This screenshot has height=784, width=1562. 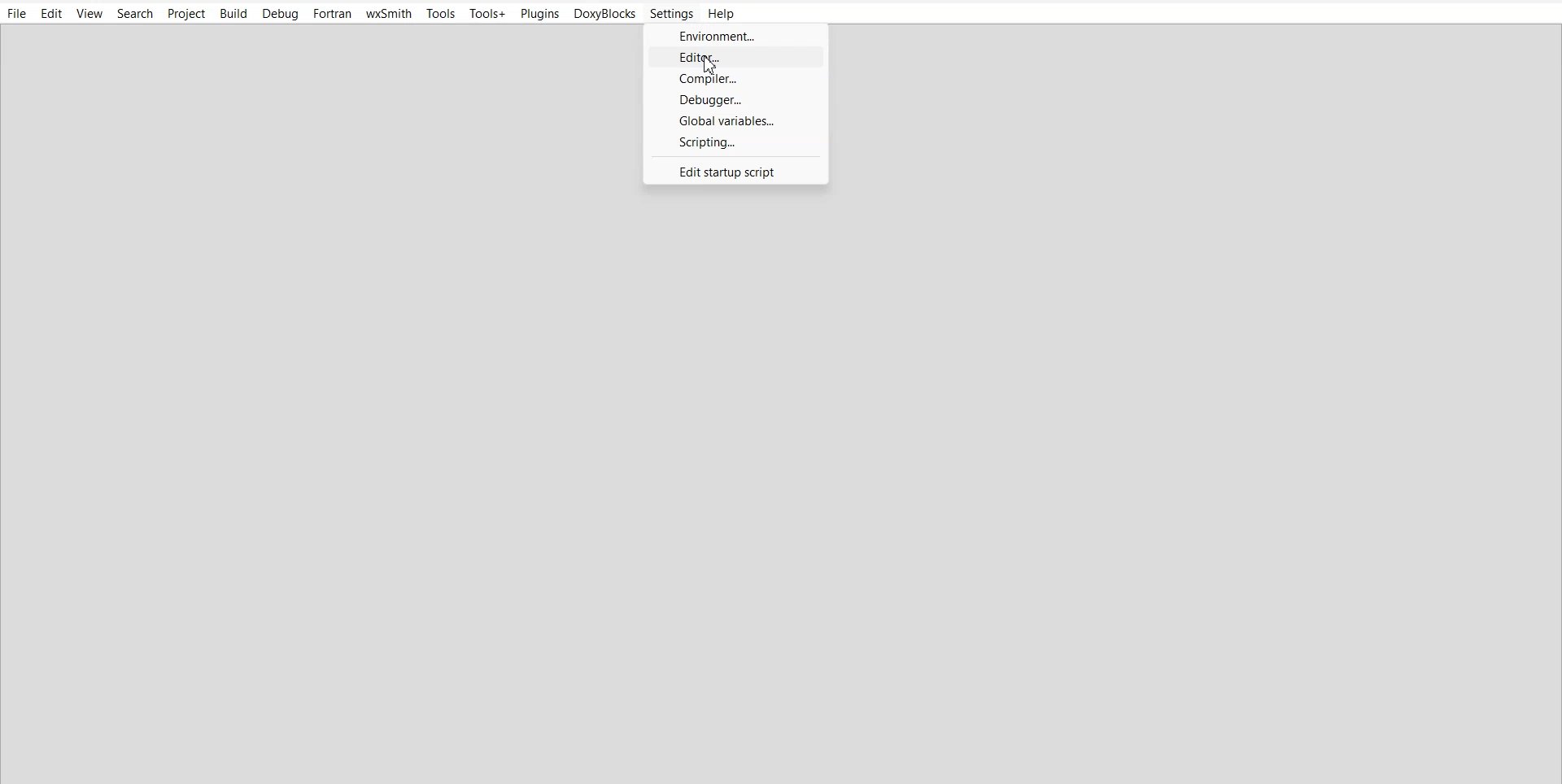 I want to click on Global variable, so click(x=737, y=121).